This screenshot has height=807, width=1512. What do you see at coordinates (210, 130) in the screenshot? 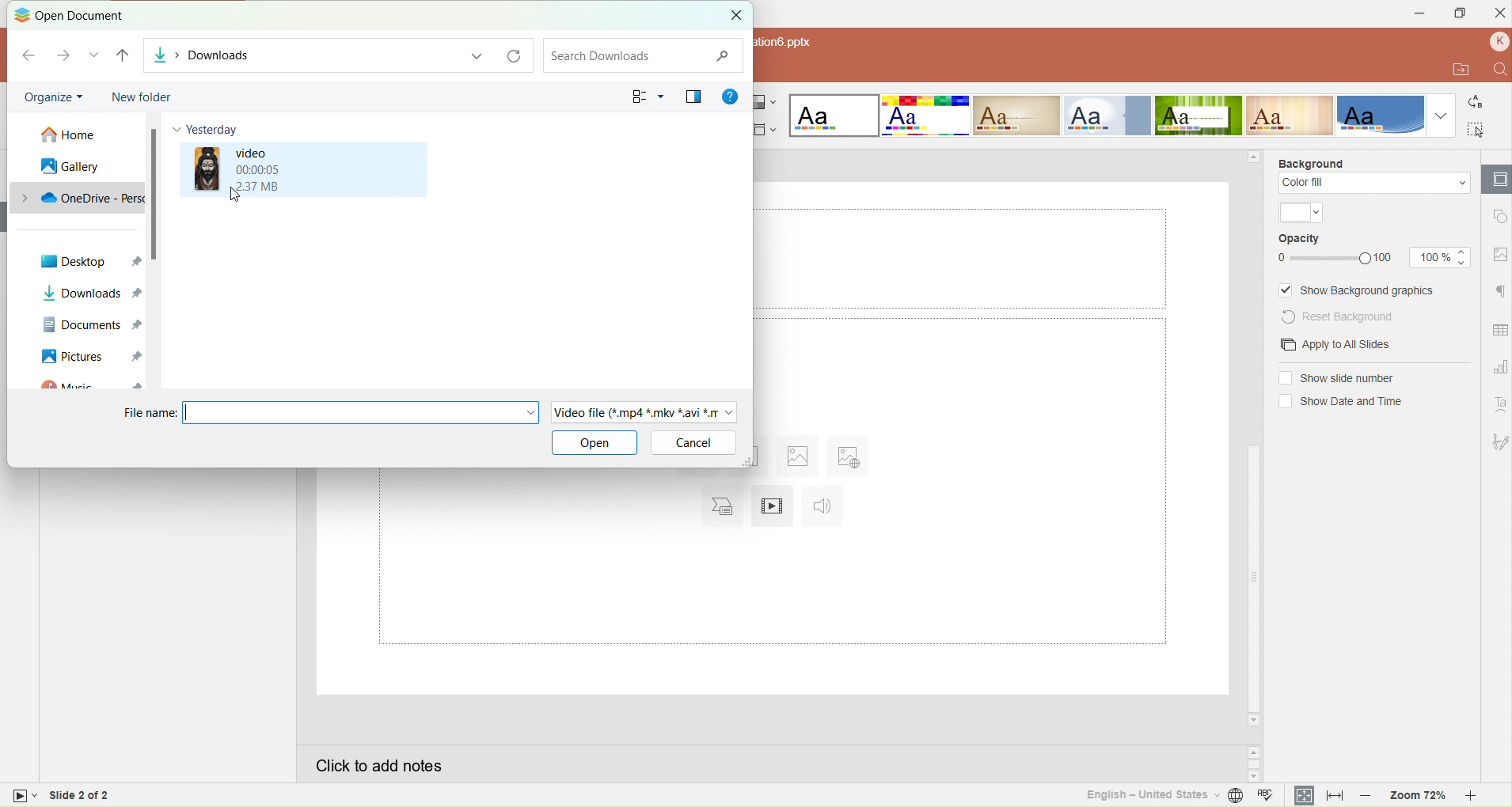
I see `Yesterday` at bounding box center [210, 130].